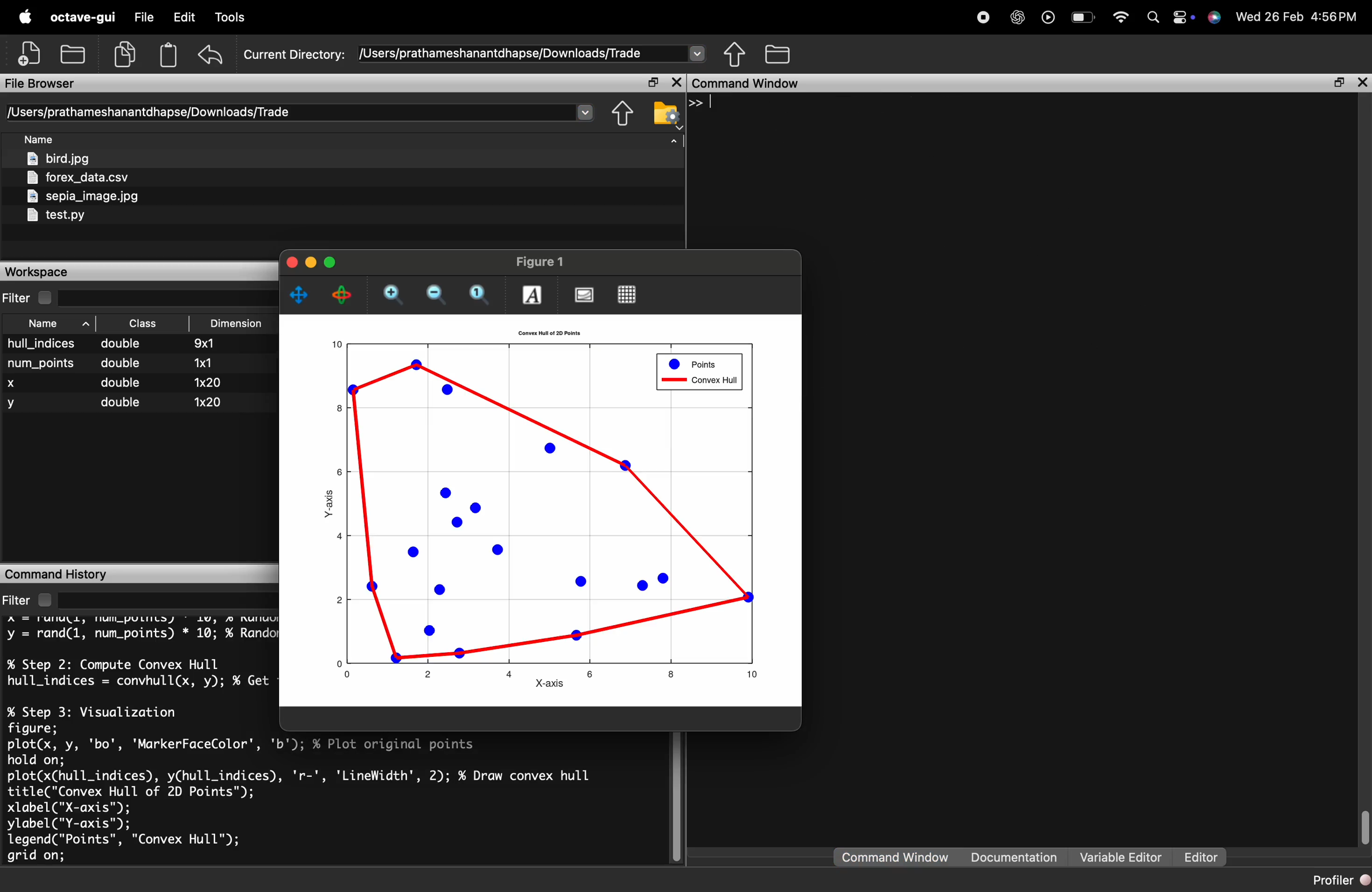 Image resolution: width=1372 pixels, height=892 pixels. I want to click on Drop-down , so click(586, 112).